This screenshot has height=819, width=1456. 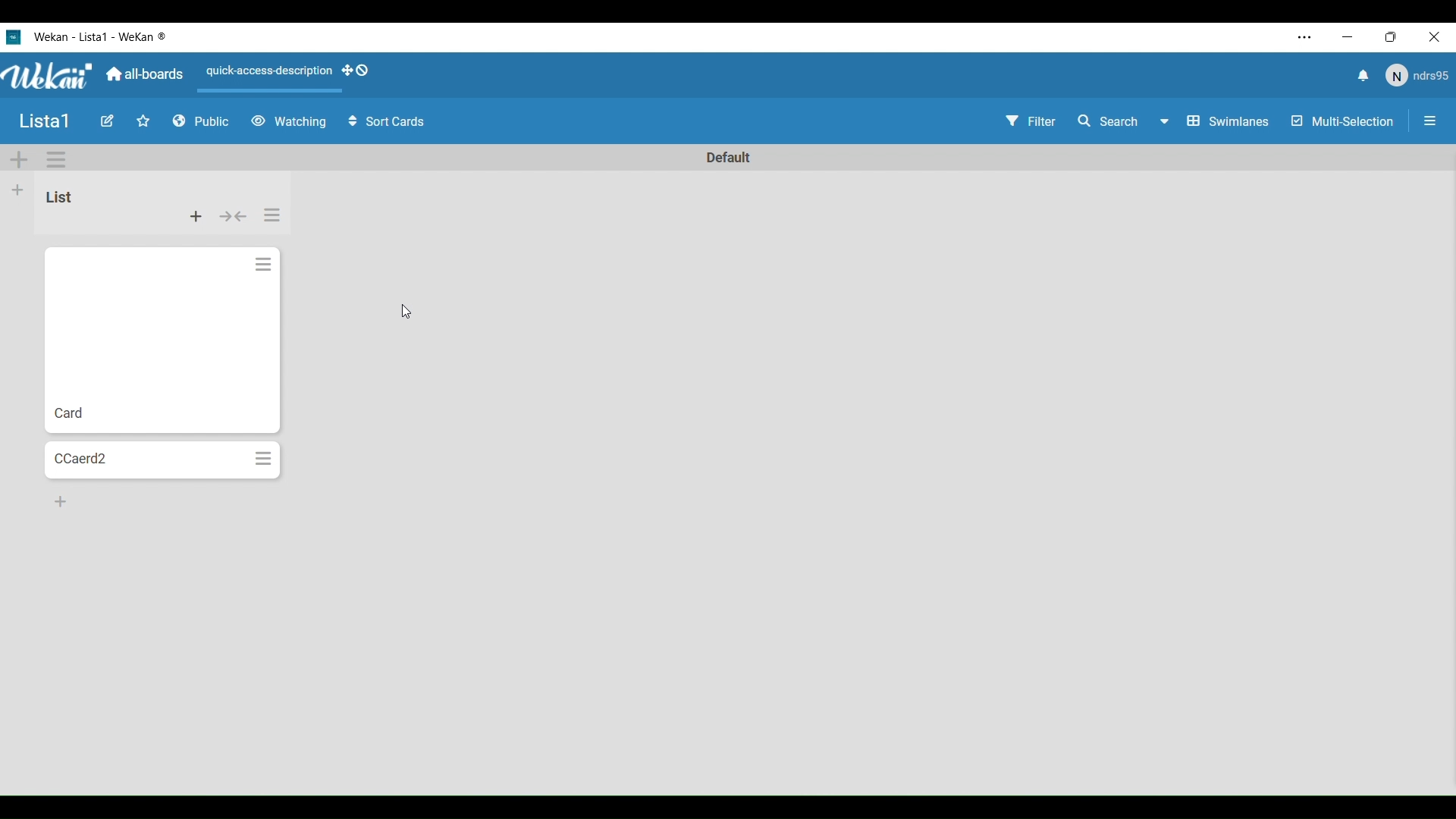 What do you see at coordinates (1122, 121) in the screenshot?
I see `Search` at bounding box center [1122, 121].